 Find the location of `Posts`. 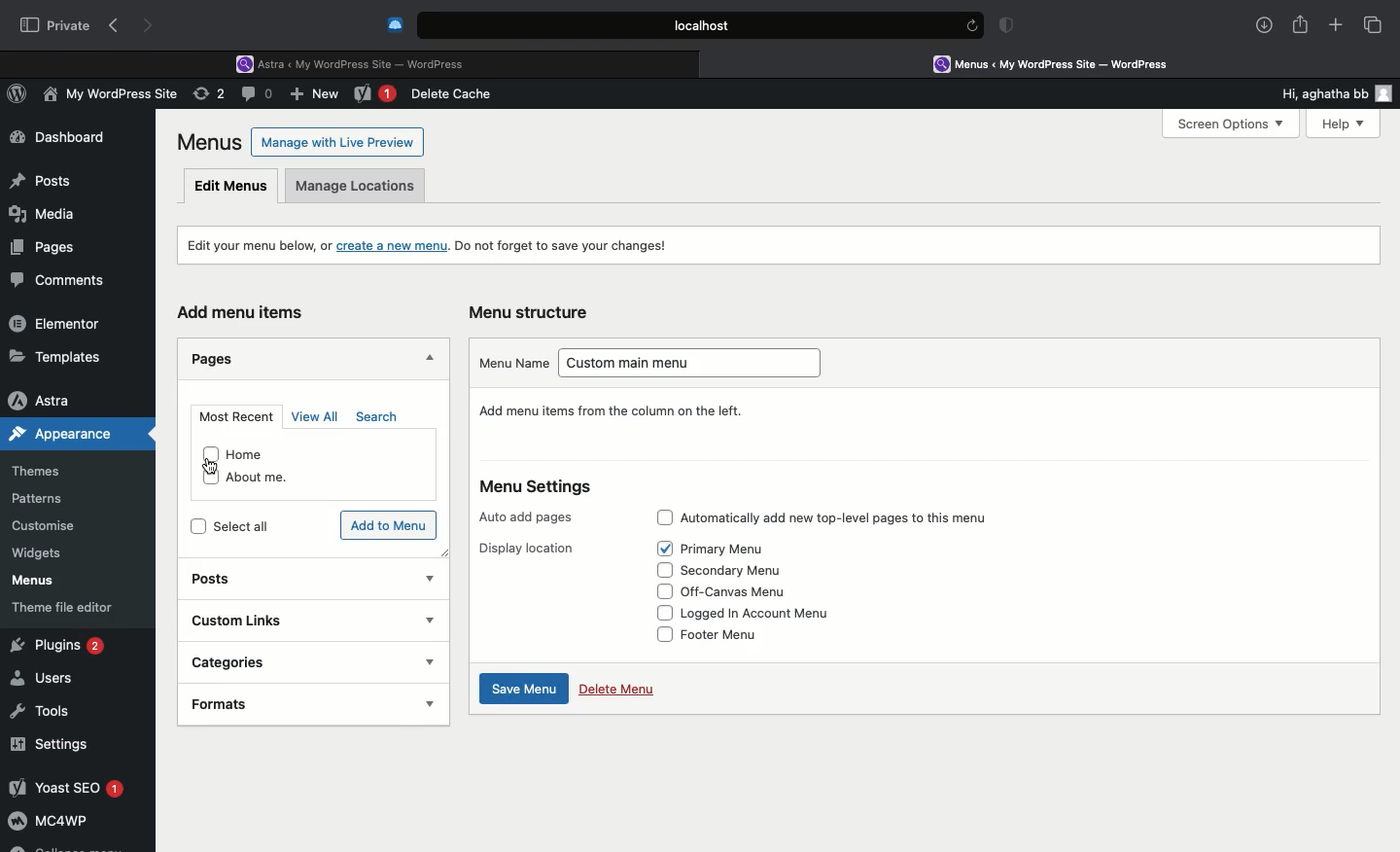

Posts is located at coordinates (229, 581).